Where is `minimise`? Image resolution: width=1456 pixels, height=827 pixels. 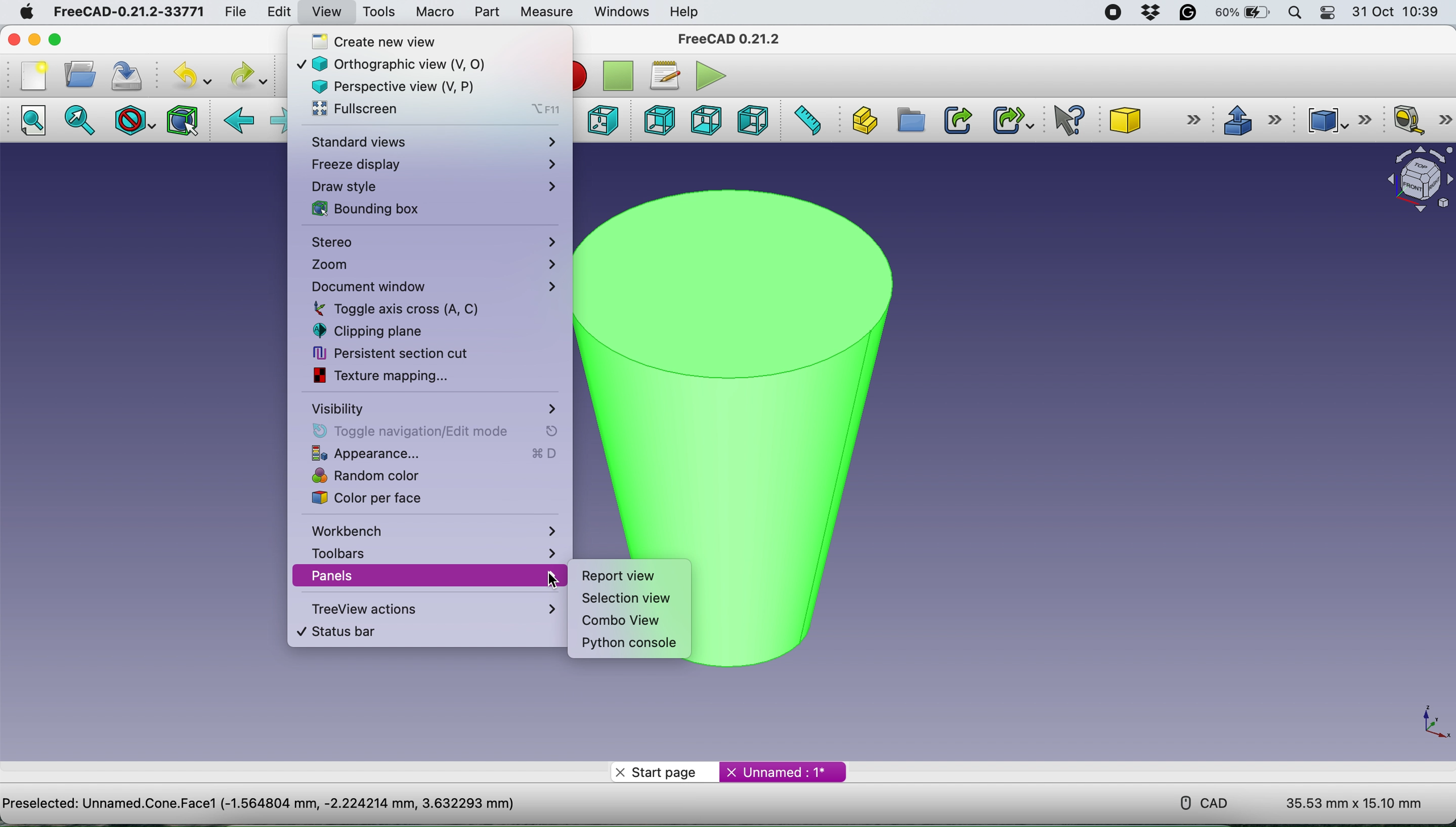
minimise is located at coordinates (34, 39).